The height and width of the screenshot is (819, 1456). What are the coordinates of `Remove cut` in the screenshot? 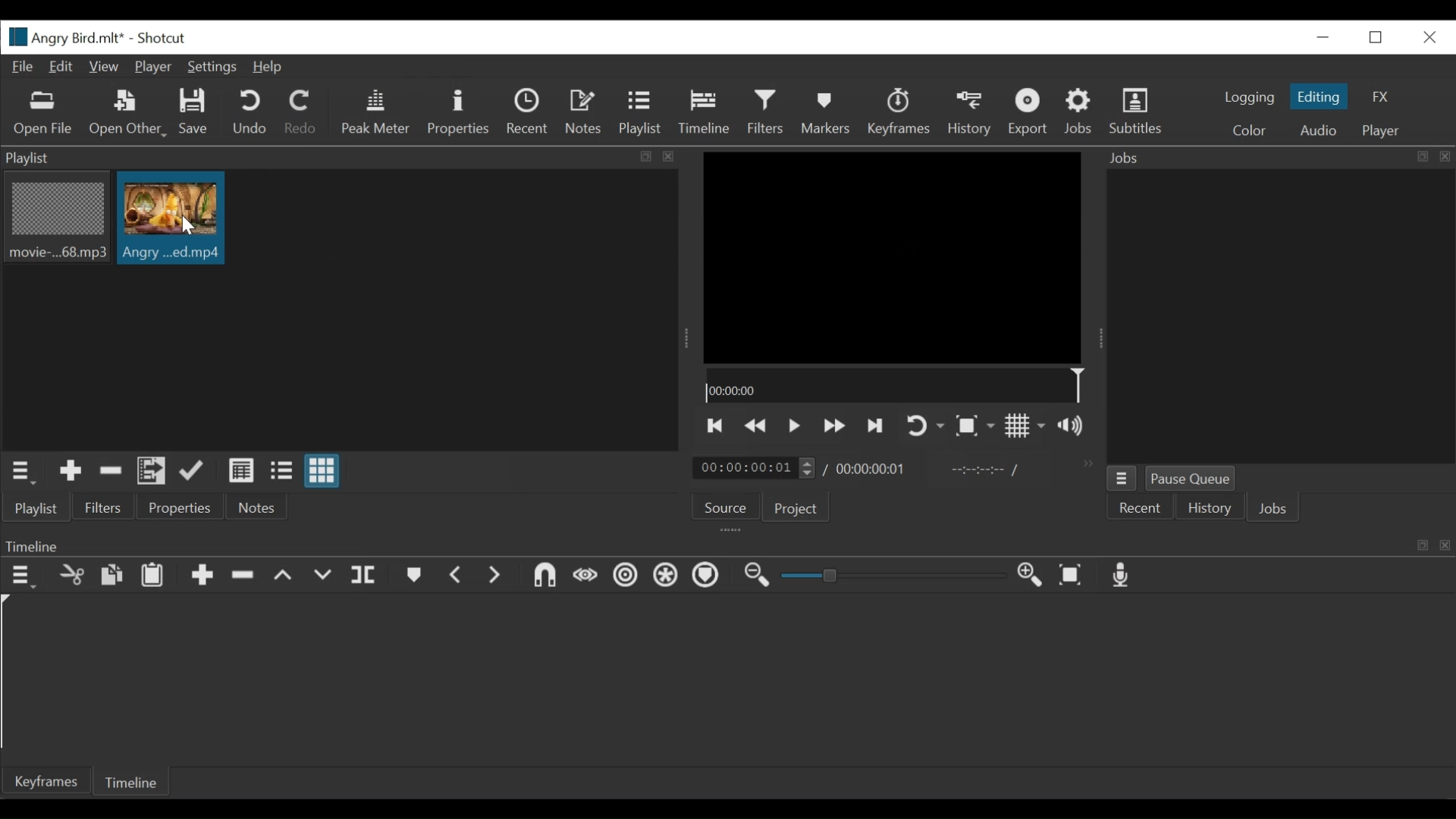 It's located at (111, 472).